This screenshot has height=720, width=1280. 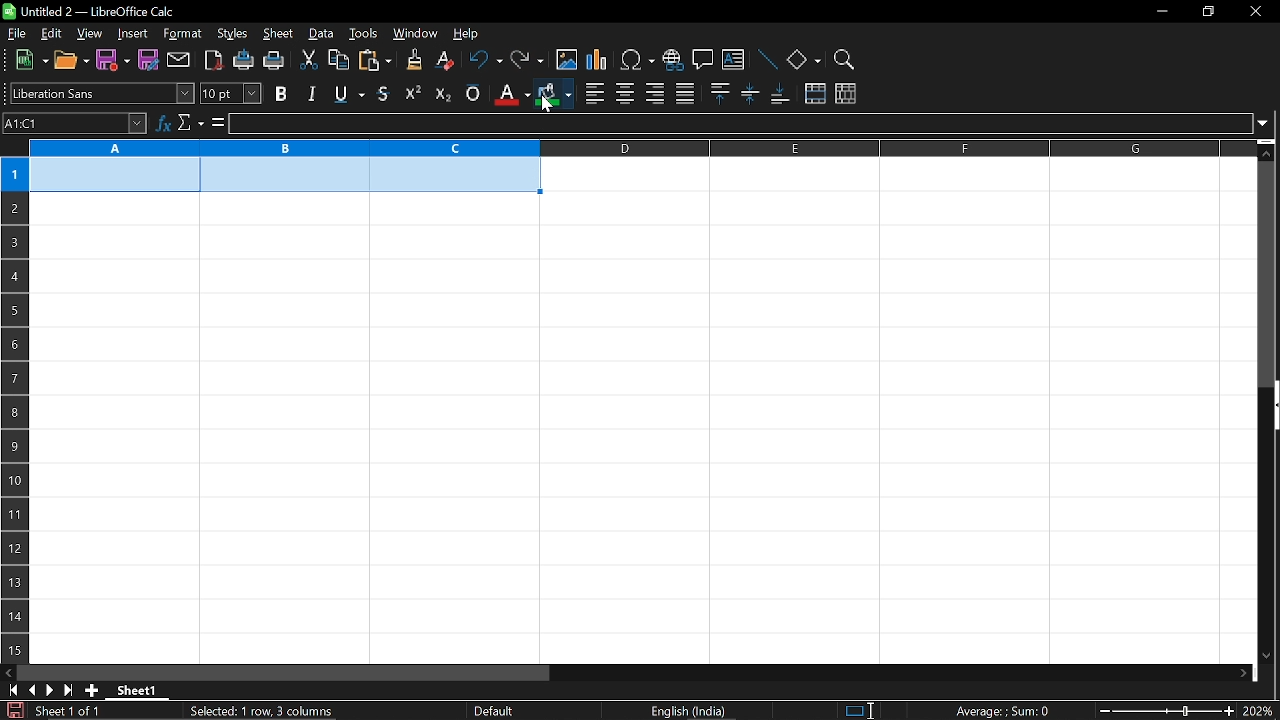 I want to click on italic, so click(x=311, y=93).